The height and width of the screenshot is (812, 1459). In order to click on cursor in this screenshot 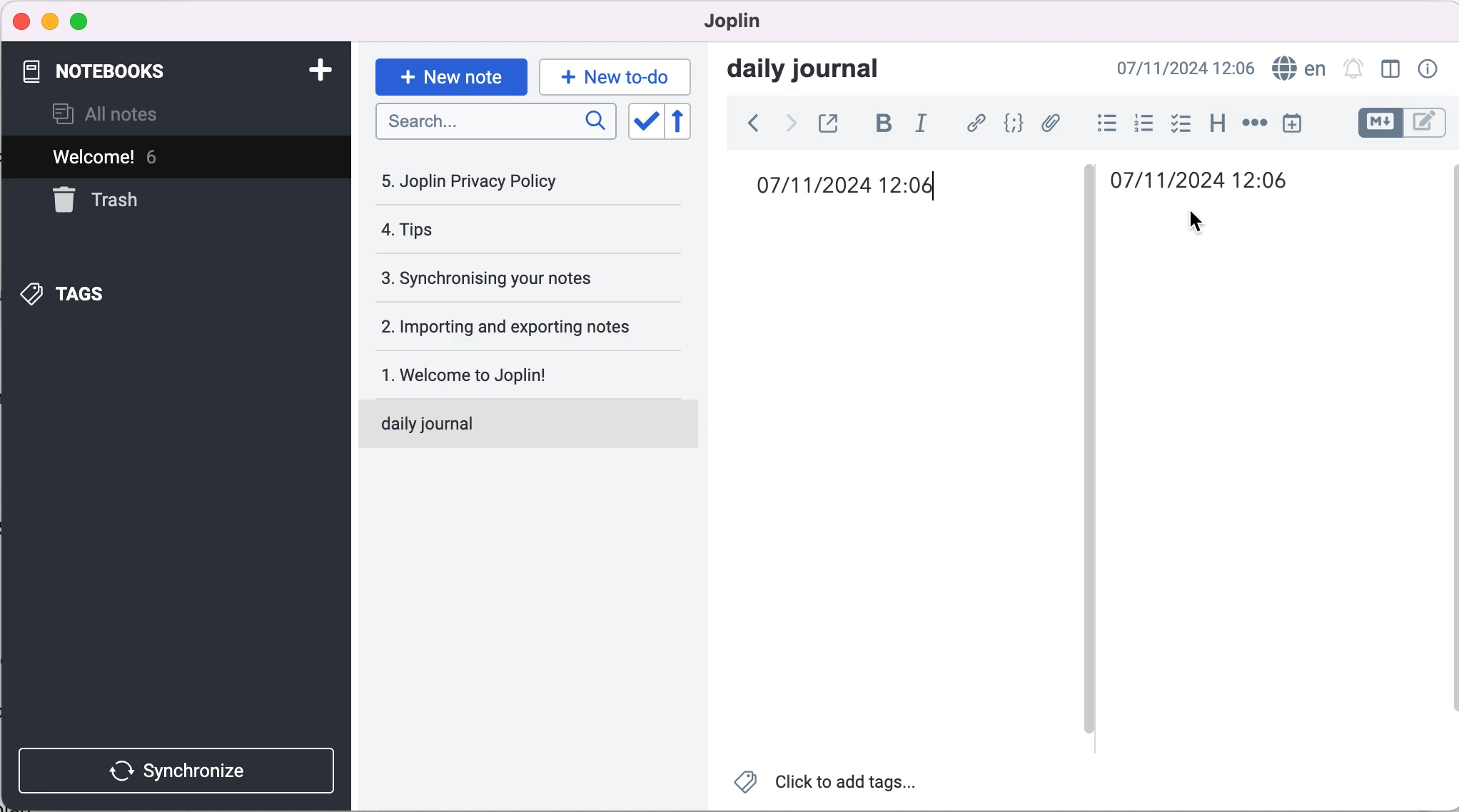, I will do `click(1190, 223)`.